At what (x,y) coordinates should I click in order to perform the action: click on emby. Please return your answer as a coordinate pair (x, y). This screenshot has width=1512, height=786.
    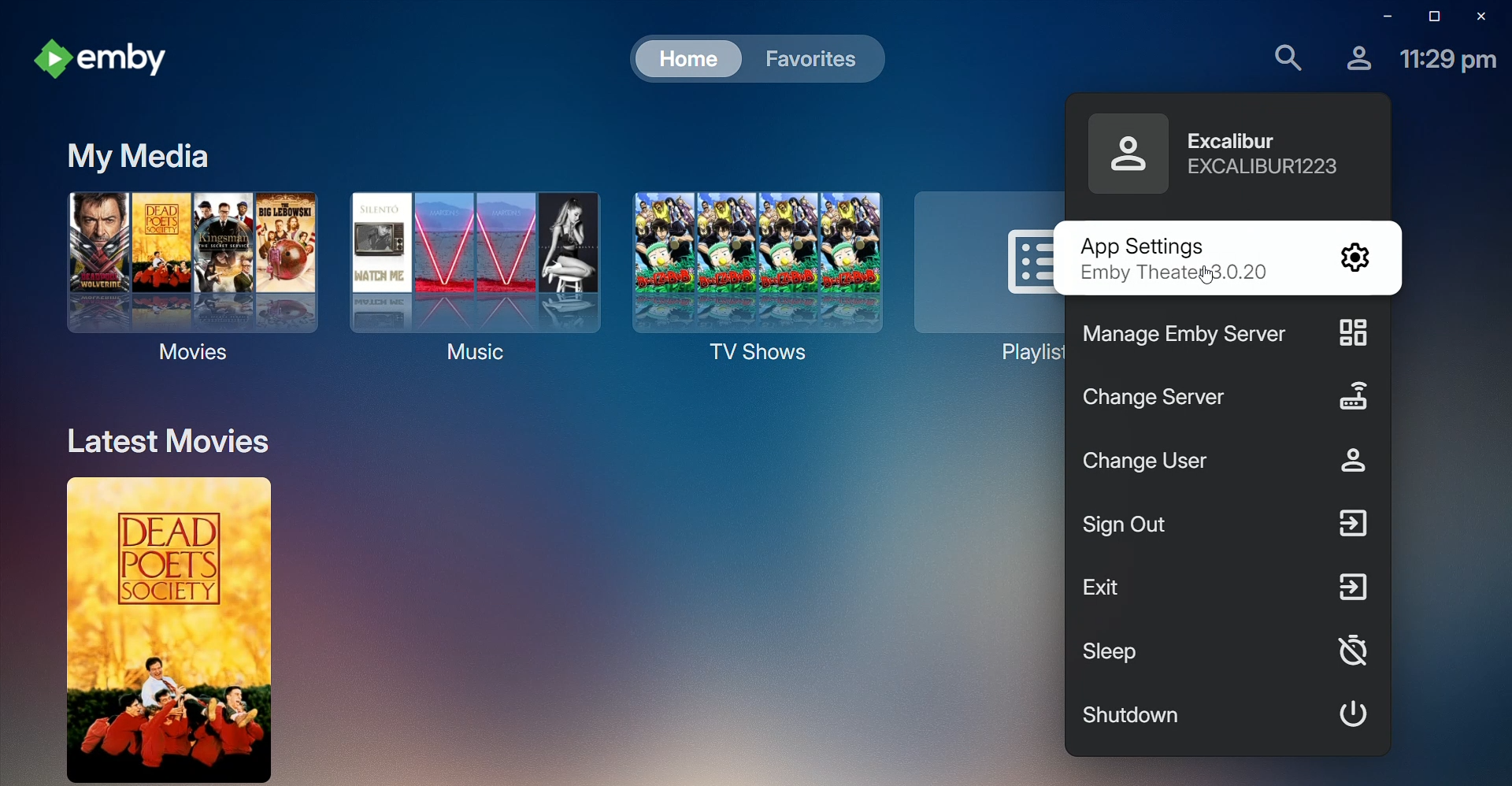
    Looking at the image, I should click on (102, 62).